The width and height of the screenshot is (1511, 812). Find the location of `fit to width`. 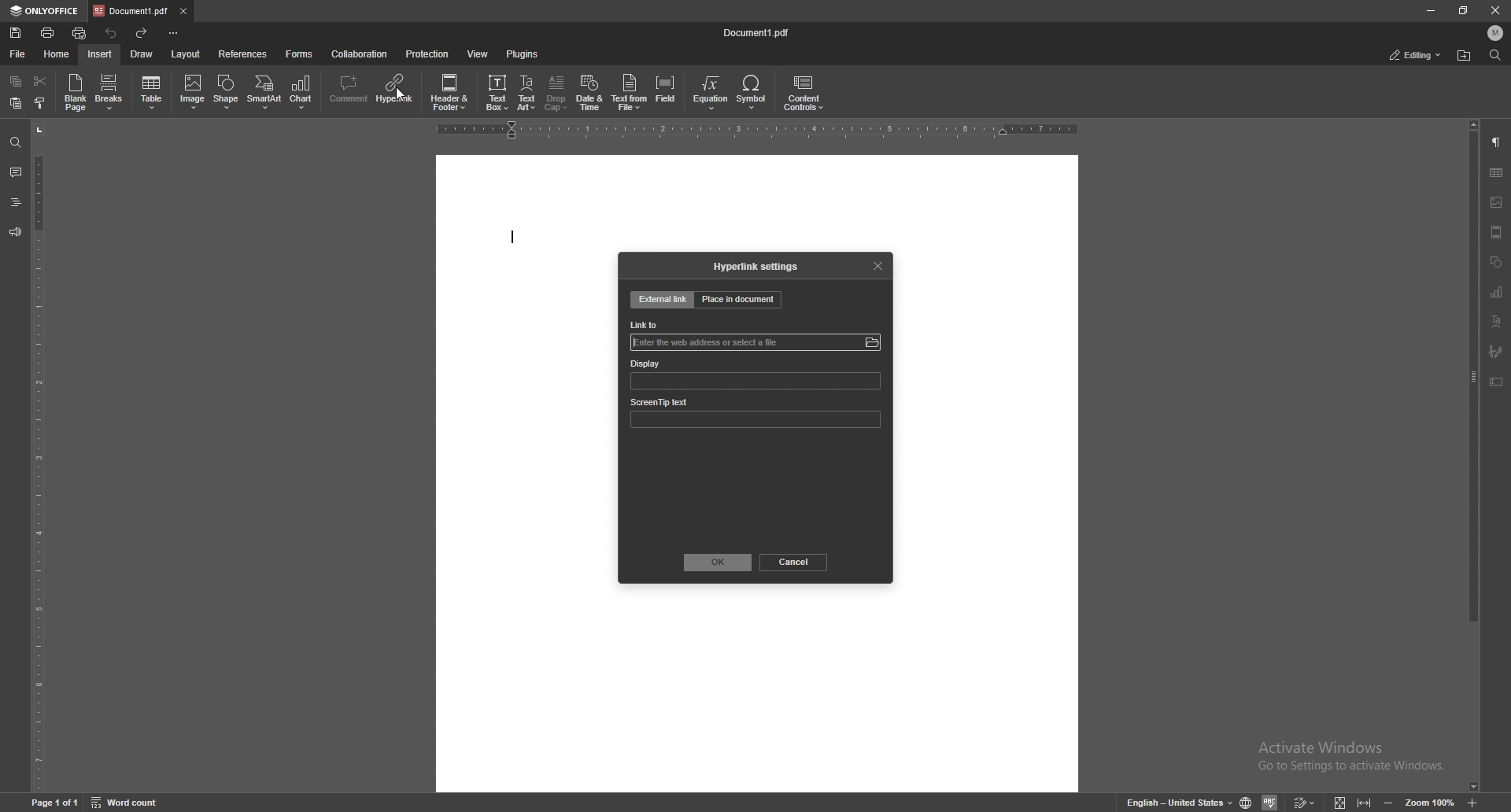

fit to width is located at coordinates (1365, 803).